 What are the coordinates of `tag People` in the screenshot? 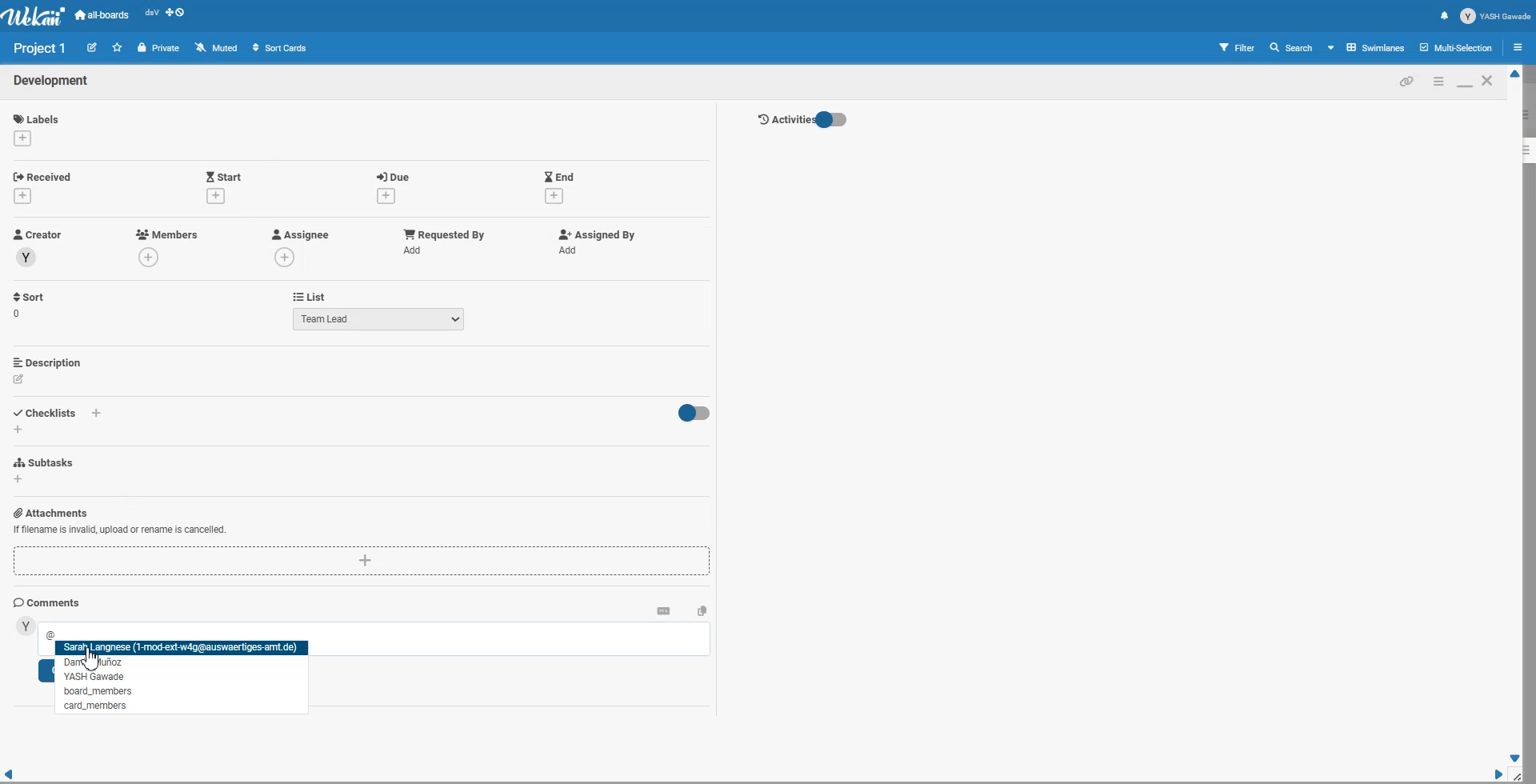 It's located at (96, 662).